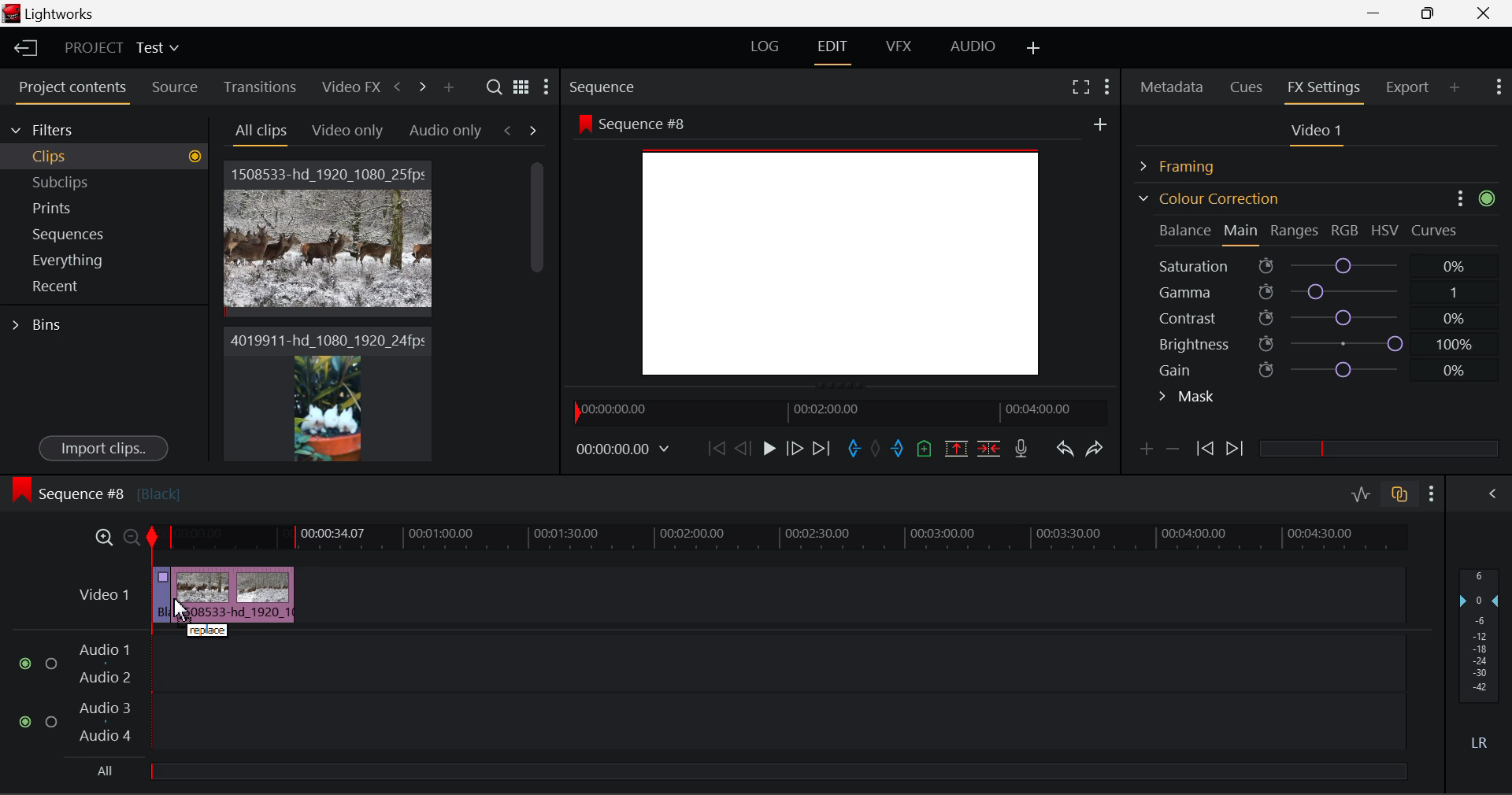  What do you see at coordinates (712, 694) in the screenshot?
I see `Audio Input Fields` at bounding box center [712, 694].